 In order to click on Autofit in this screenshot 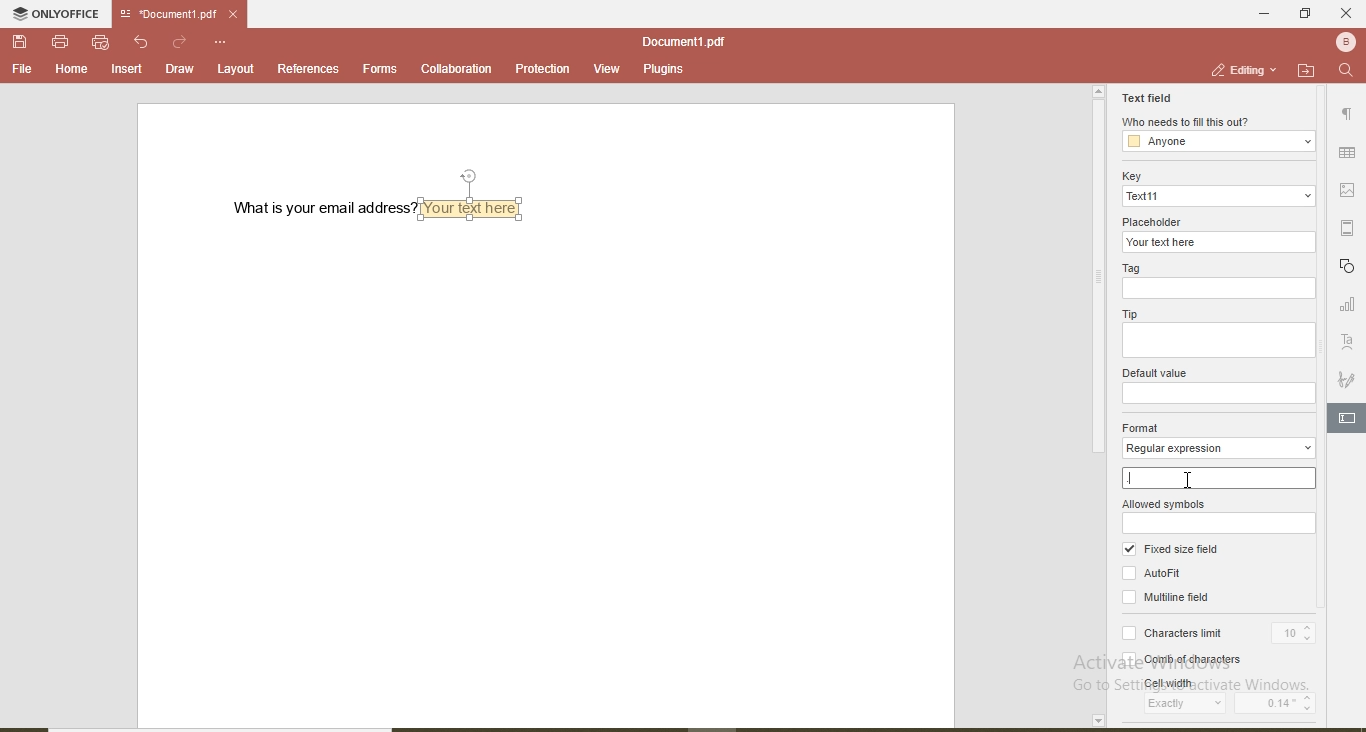, I will do `click(1153, 571)`.